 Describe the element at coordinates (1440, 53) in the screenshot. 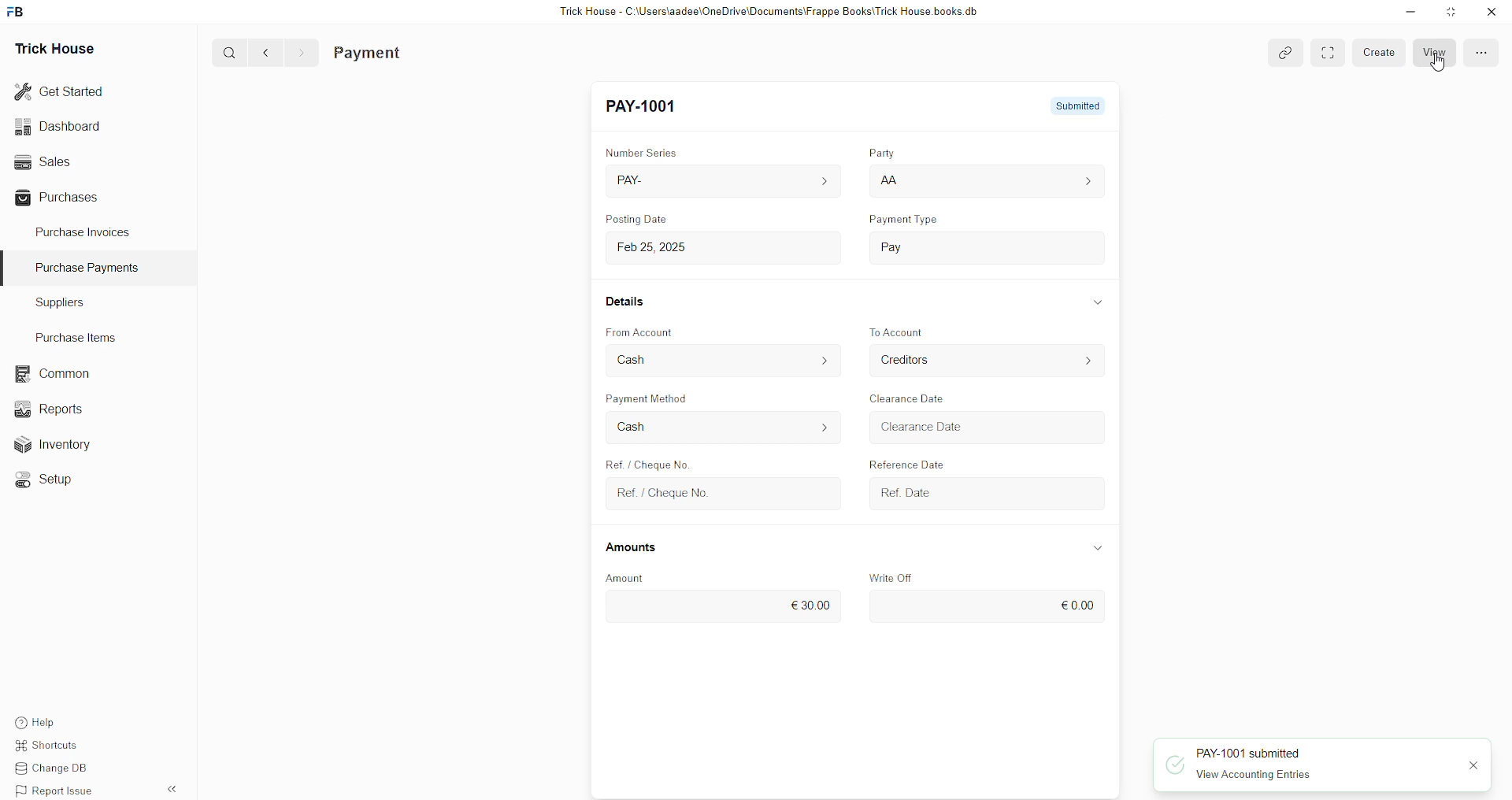

I see `view` at that location.